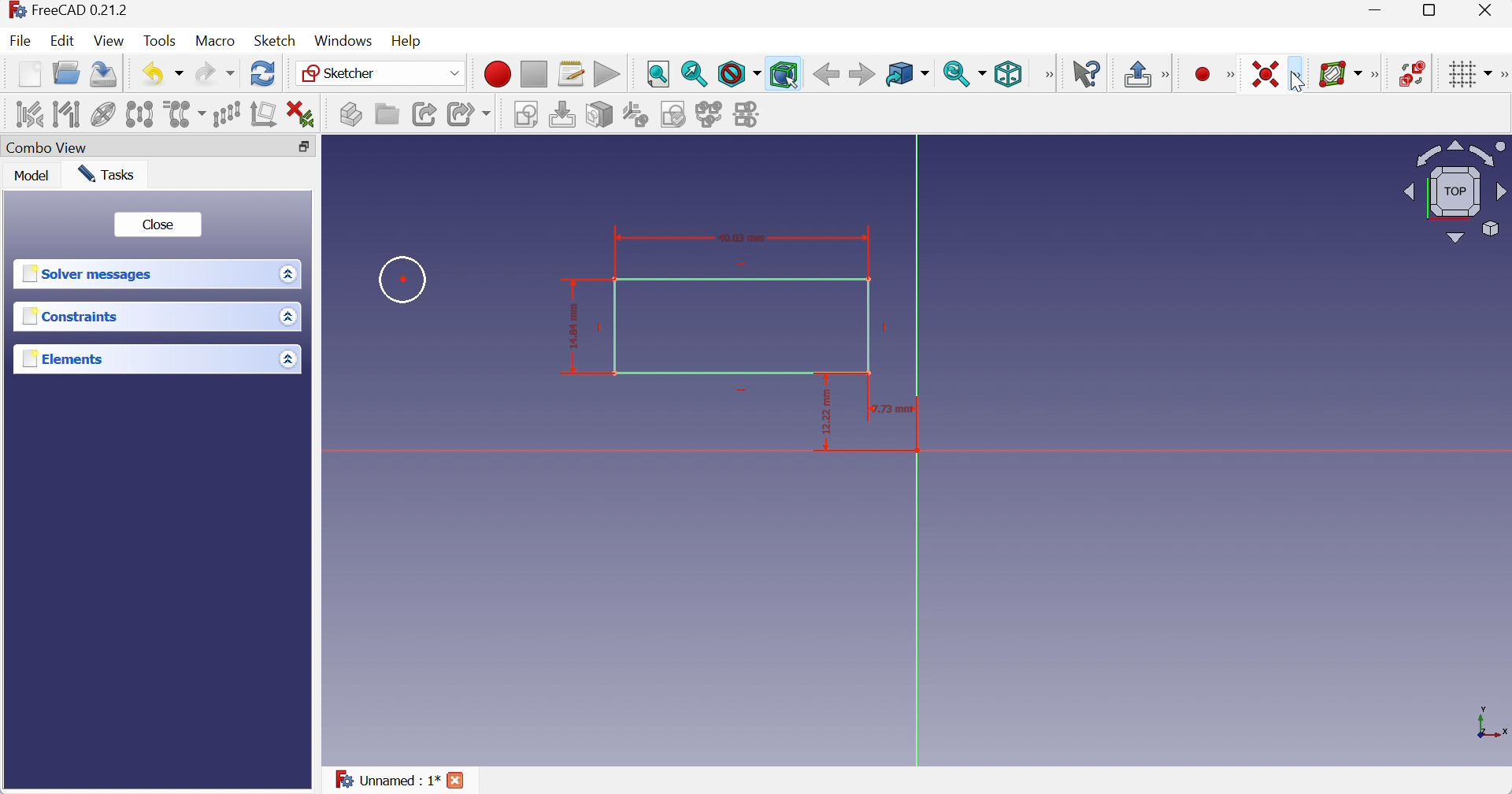 This screenshot has height=794, width=1512. Describe the element at coordinates (1230, 75) in the screenshot. I see `[Sketcher geometries]` at that location.